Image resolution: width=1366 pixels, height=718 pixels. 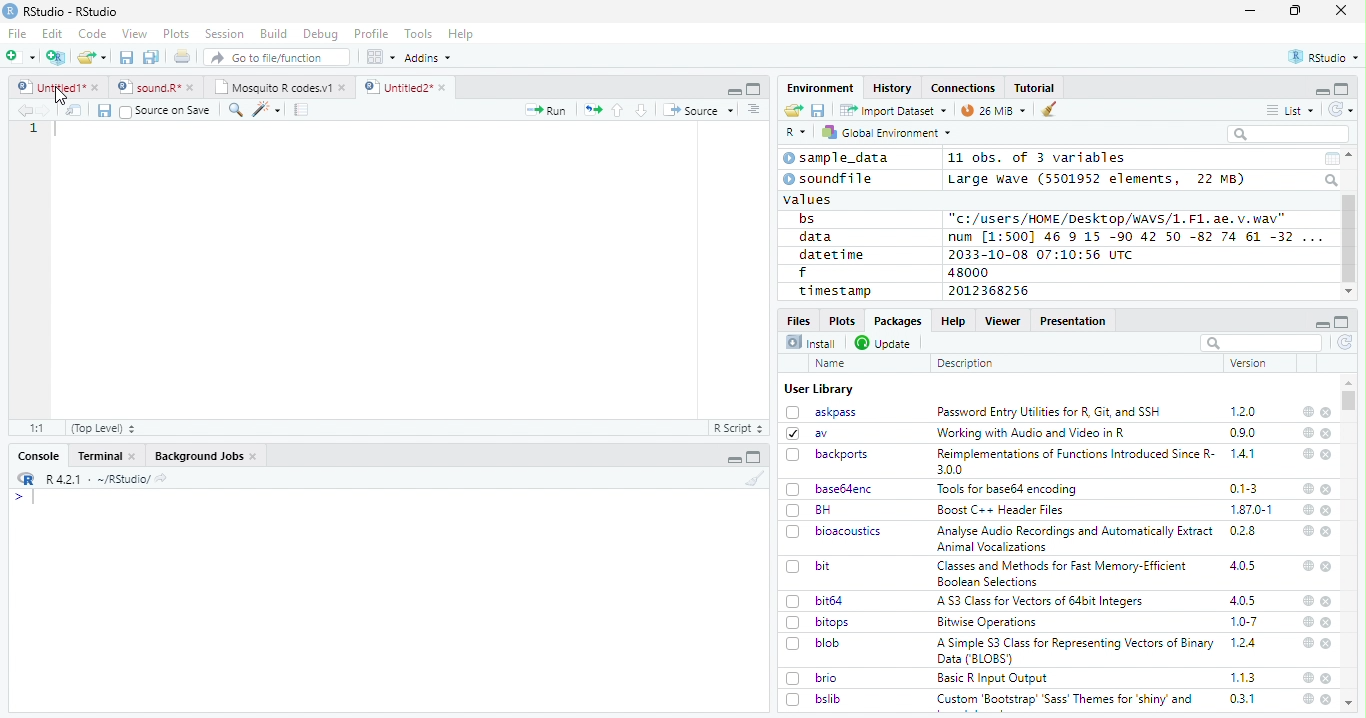 What do you see at coordinates (619, 110) in the screenshot?
I see `Go to previous section` at bounding box center [619, 110].